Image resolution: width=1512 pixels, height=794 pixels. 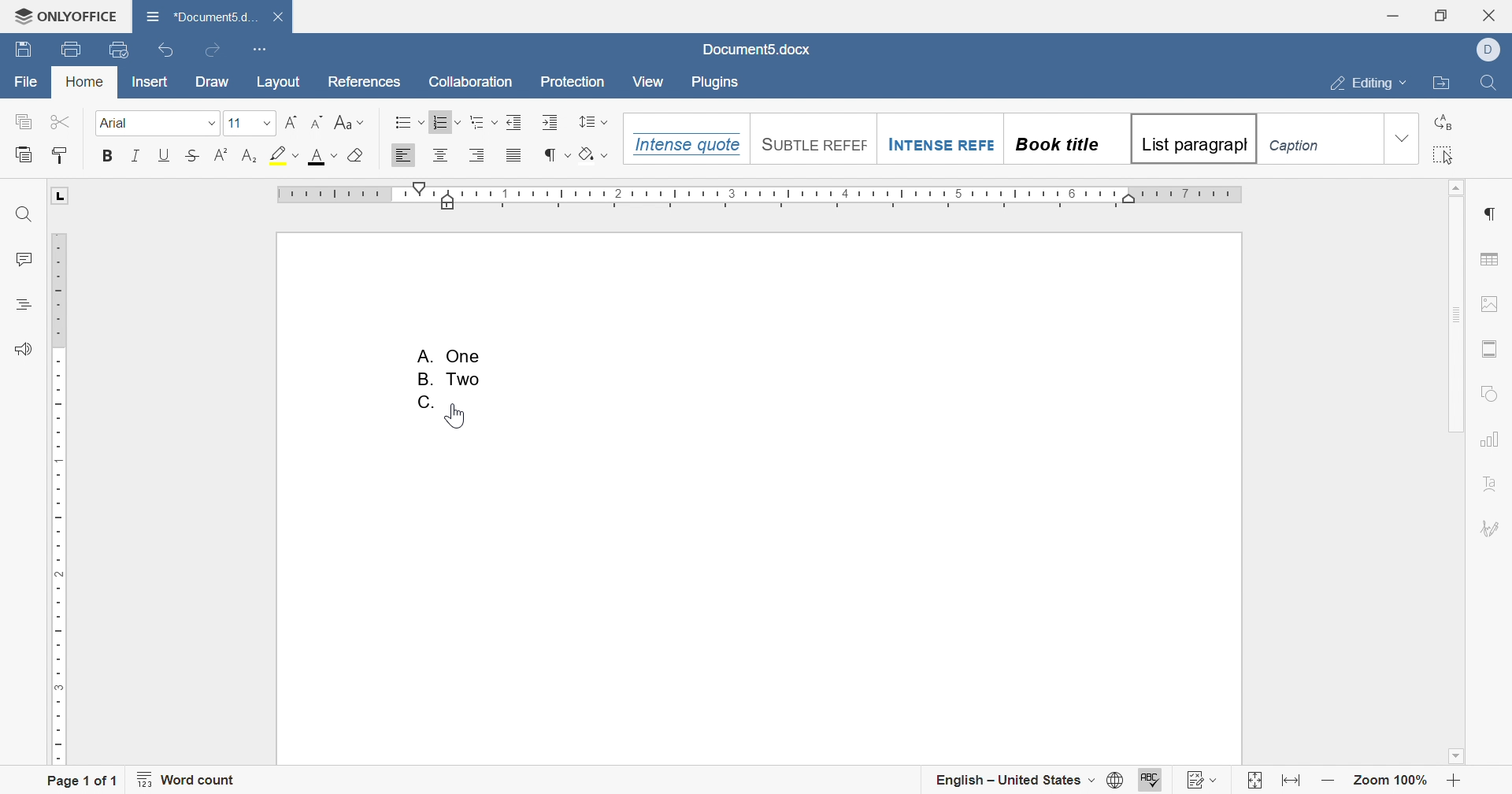 What do you see at coordinates (760, 52) in the screenshot?
I see `document5.docx` at bounding box center [760, 52].